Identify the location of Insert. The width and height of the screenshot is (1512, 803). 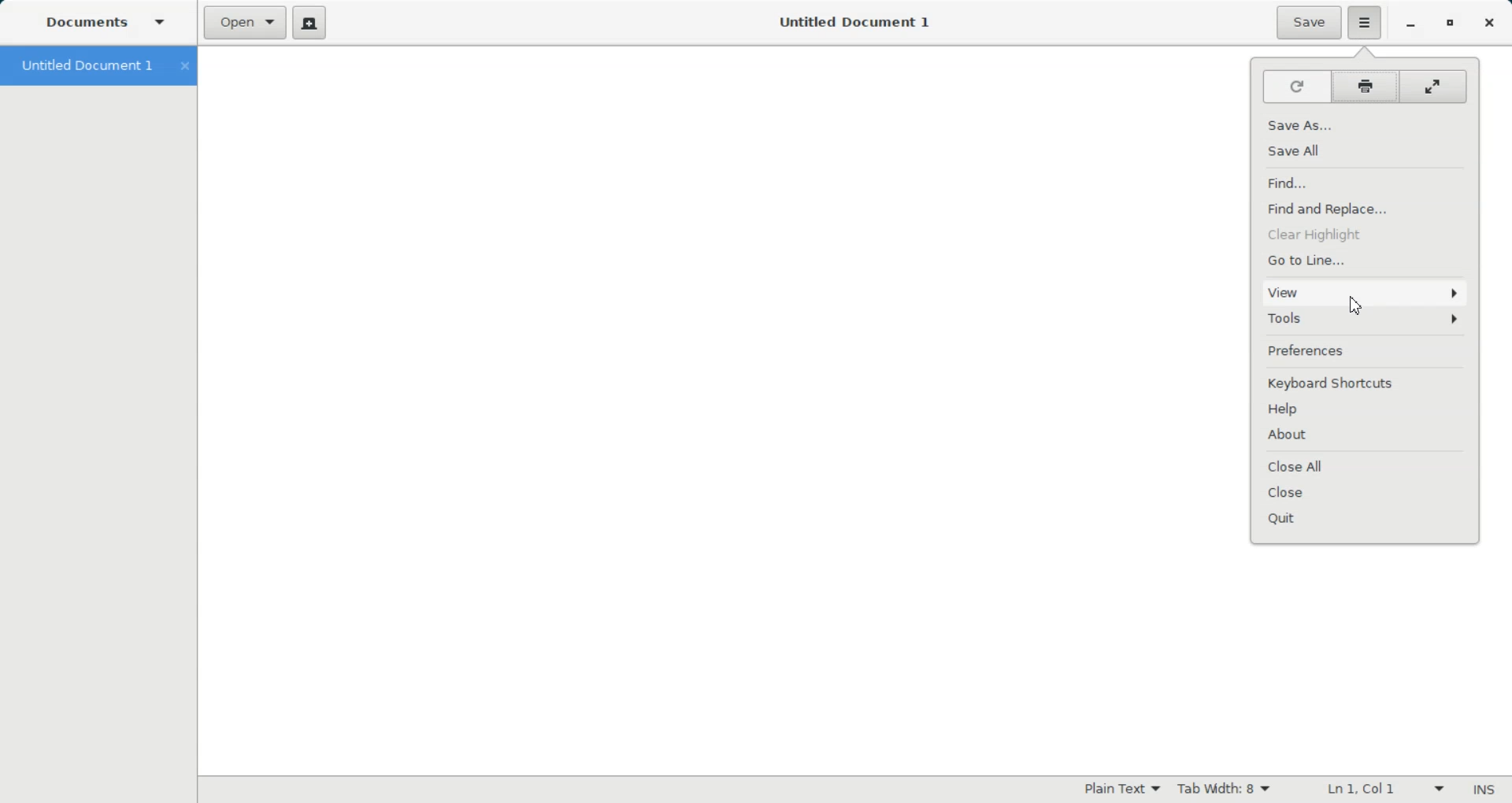
(1484, 789).